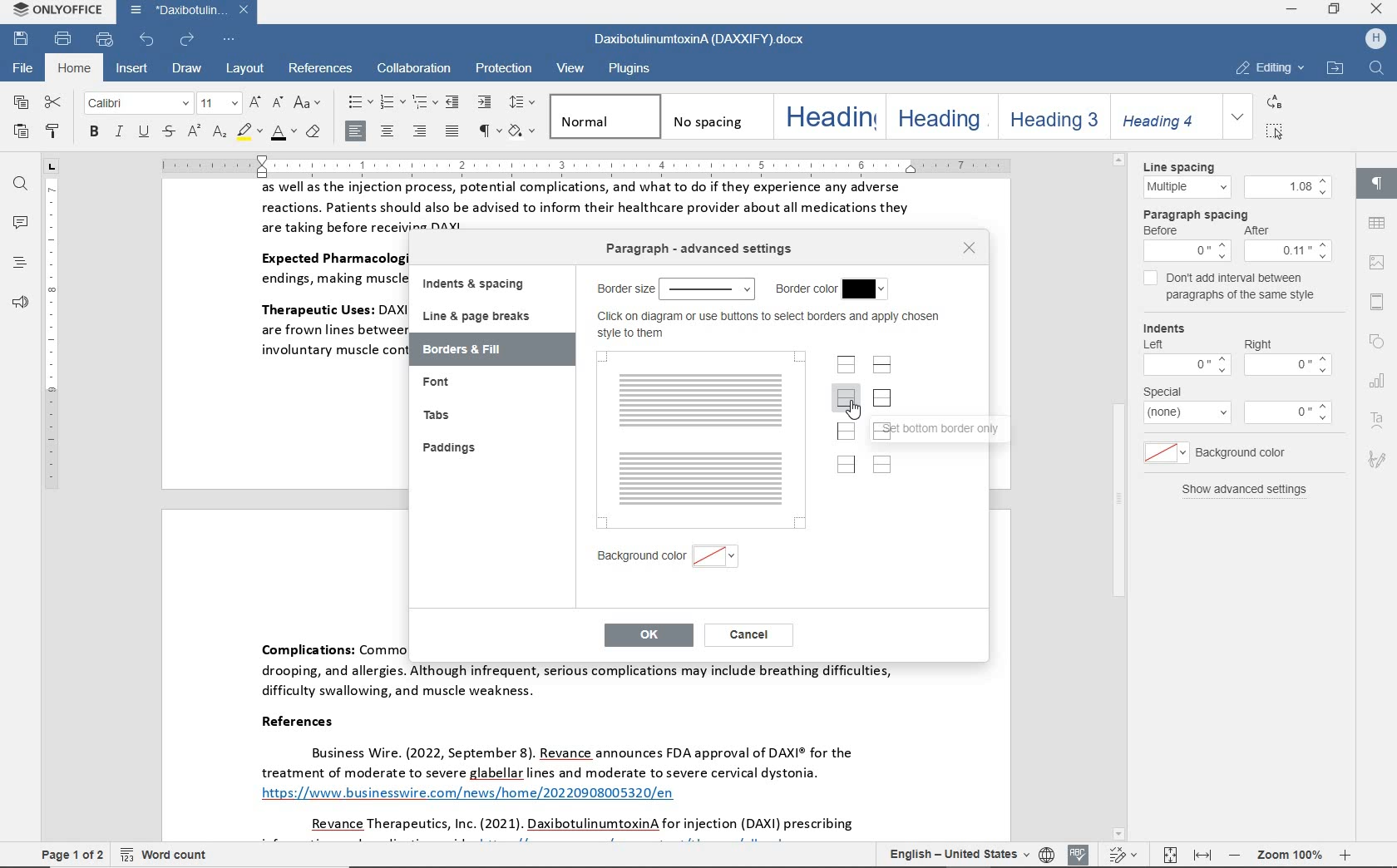 This screenshot has width=1397, height=868. Describe the element at coordinates (55, 133) in the screenshot. I see `copy style` at that location.